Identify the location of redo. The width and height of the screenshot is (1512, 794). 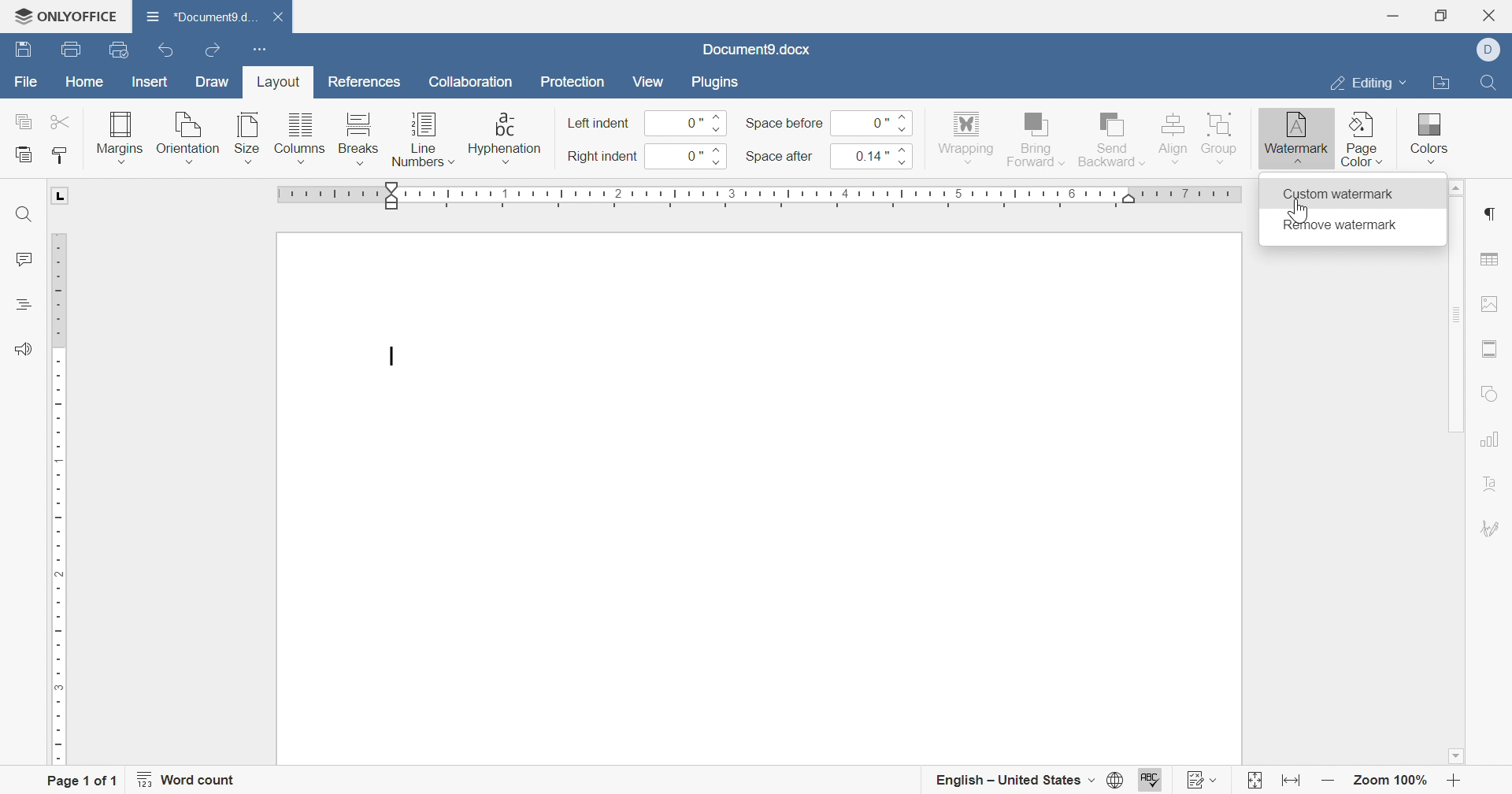
(215, 52).